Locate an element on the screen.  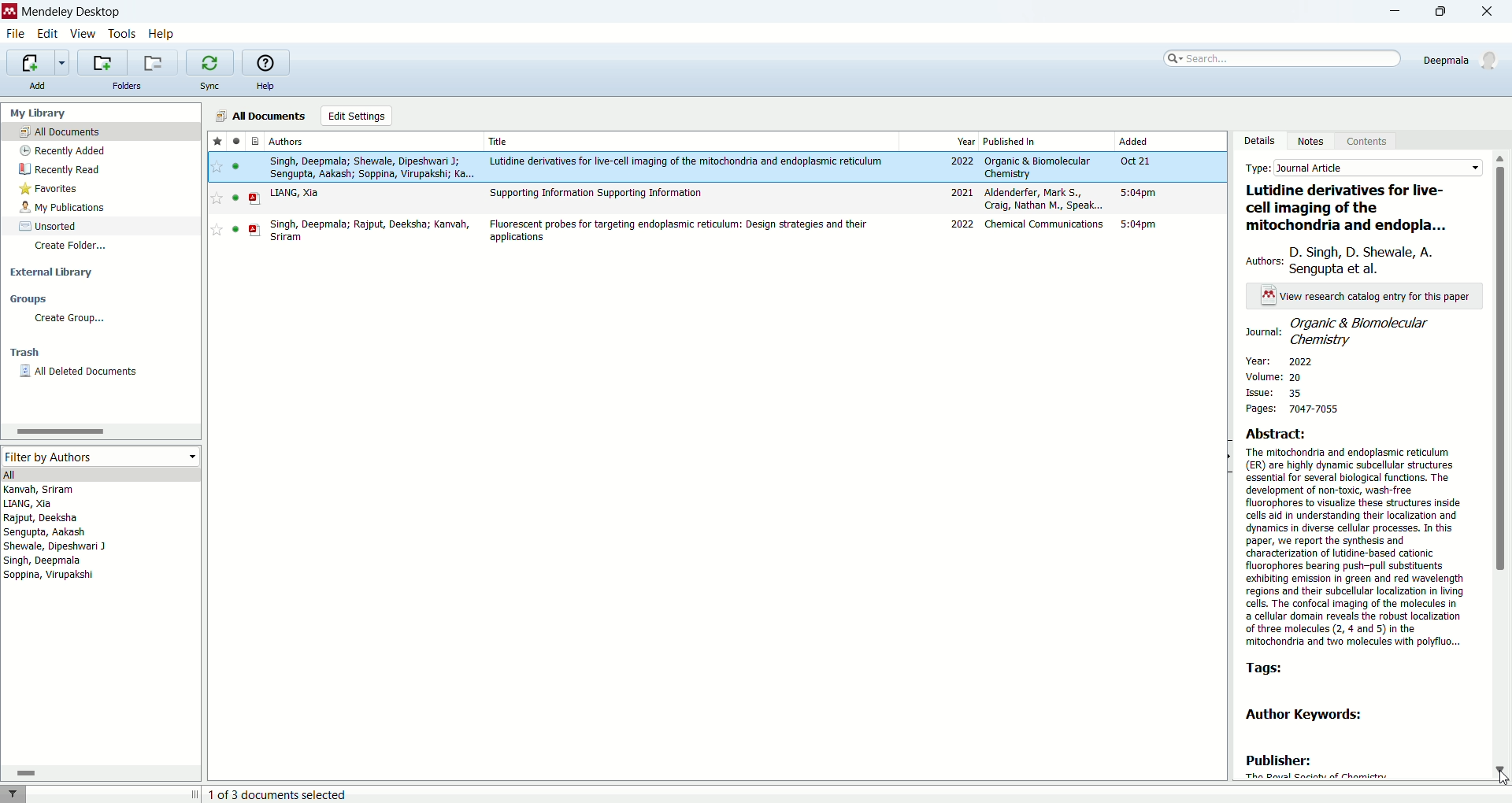
toggle hide/show is located at coordinates (1228, 457).